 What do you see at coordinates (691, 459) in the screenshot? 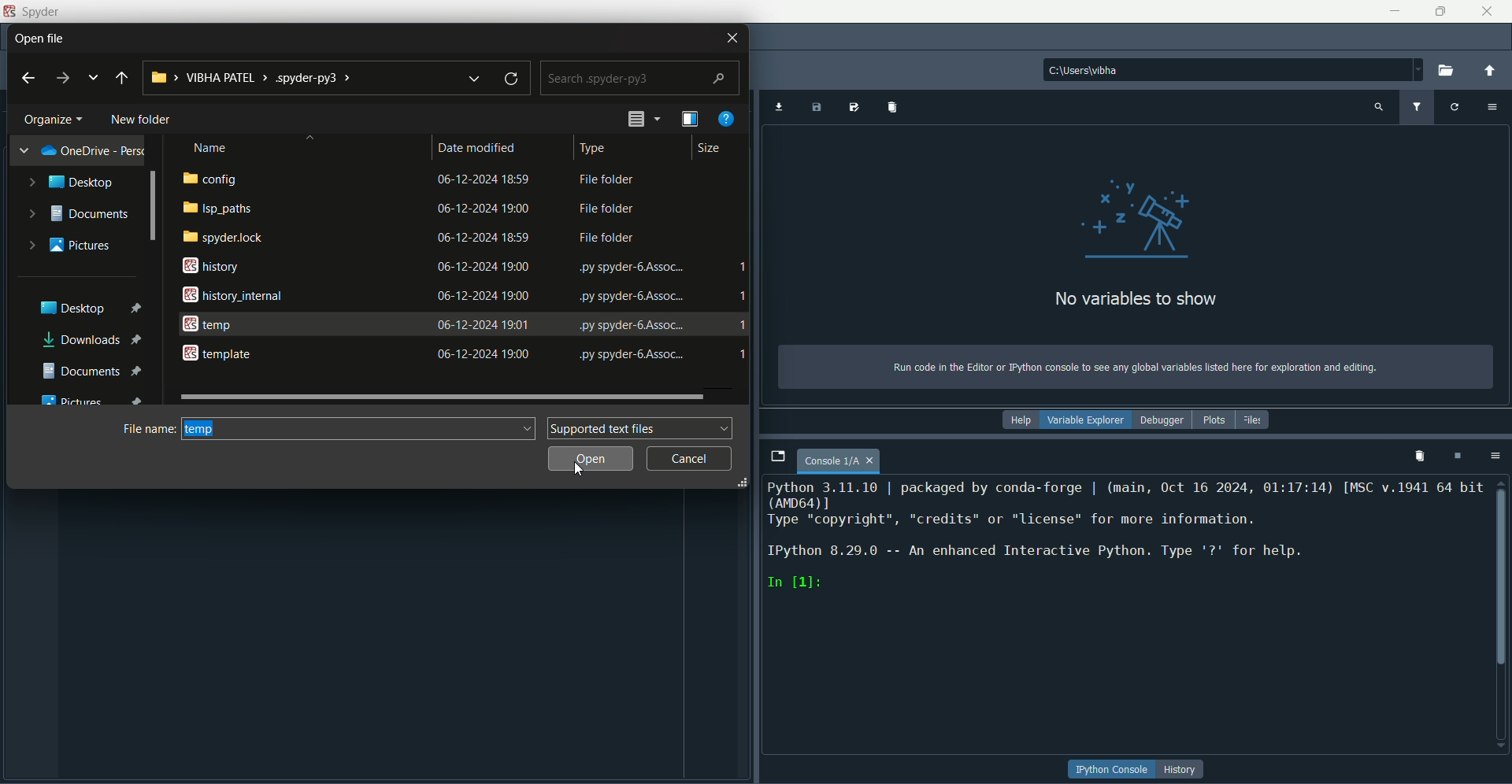
I see `cancel` at bounding box center [691, 459].